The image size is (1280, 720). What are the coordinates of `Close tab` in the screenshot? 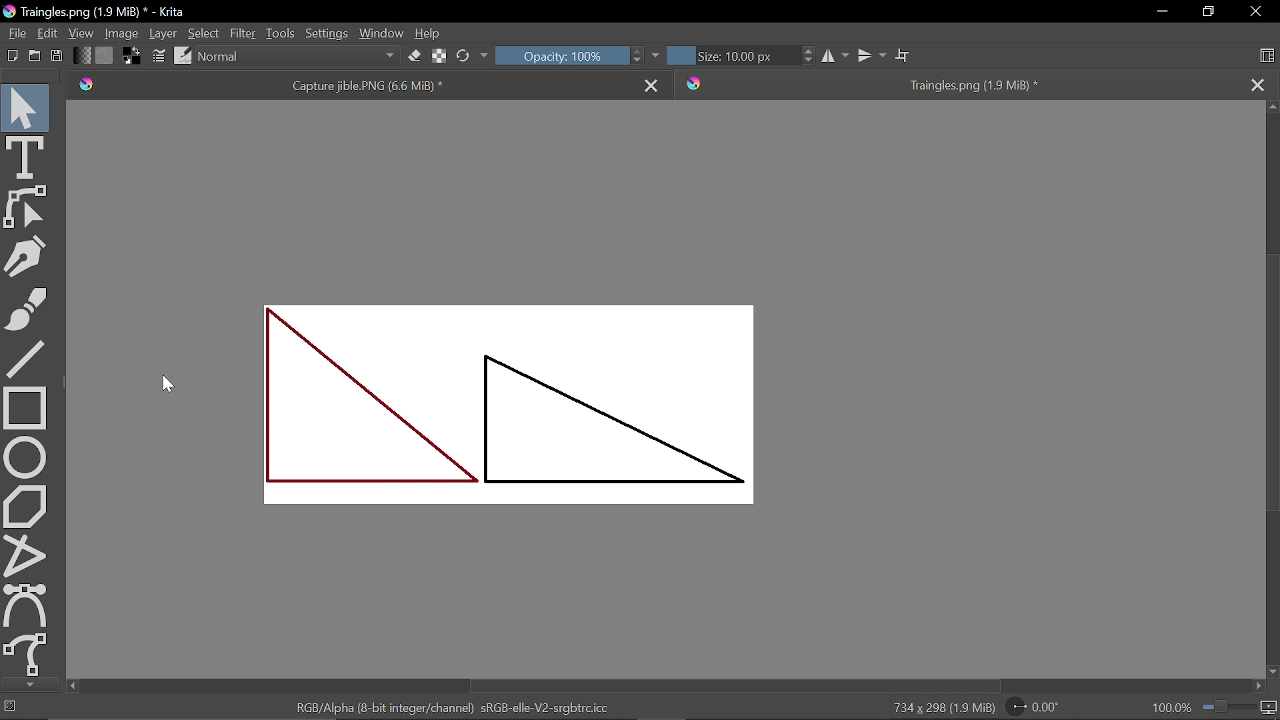 It's located at (1258, 84).